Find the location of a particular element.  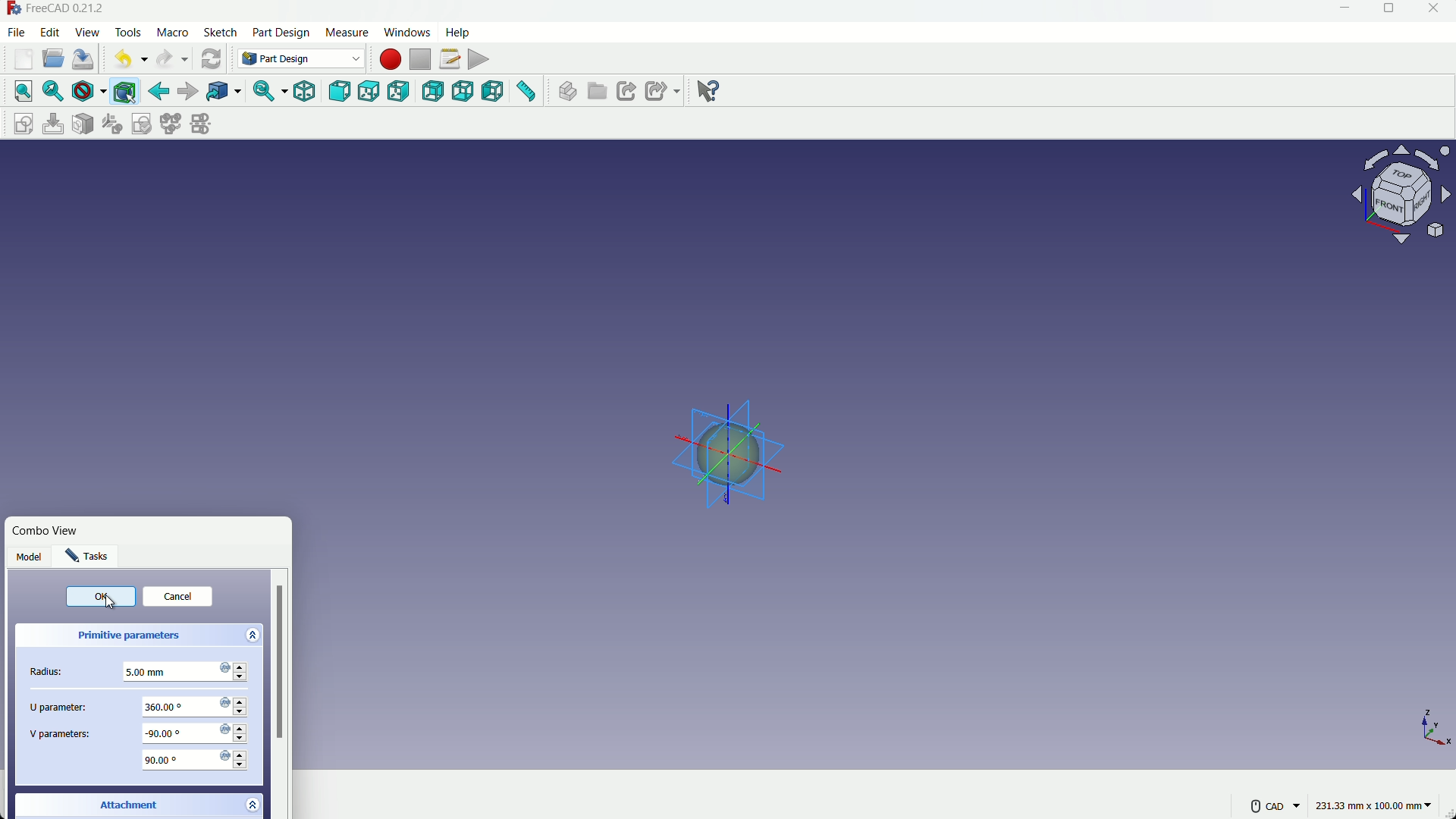

help menu is located at coordinates (457, 33).